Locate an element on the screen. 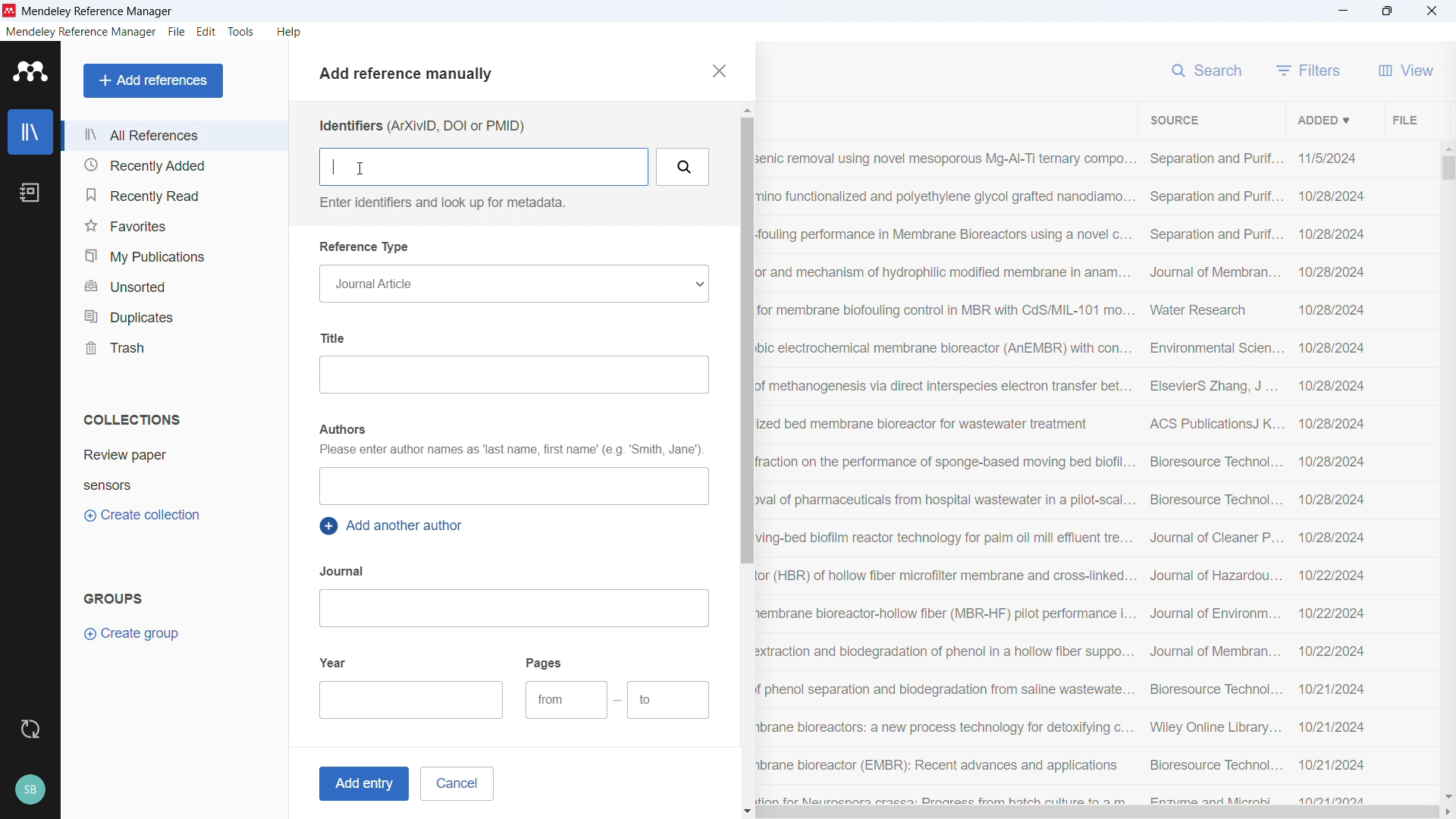 This screenshot has height=819, width=1456. Reference type selection  is located at coordinates (513, 284).